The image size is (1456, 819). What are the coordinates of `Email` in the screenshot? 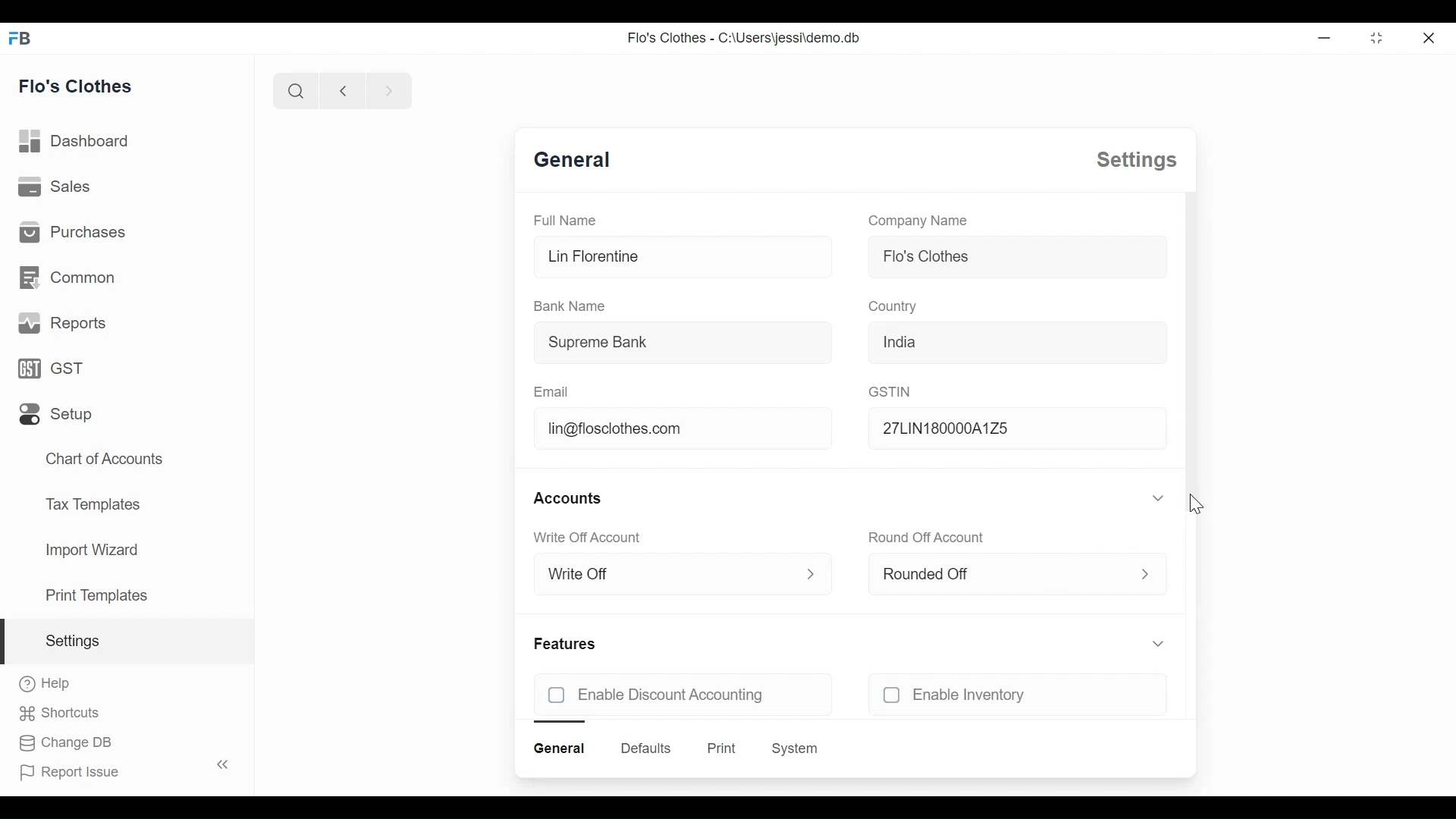 It's located at (552, 391).